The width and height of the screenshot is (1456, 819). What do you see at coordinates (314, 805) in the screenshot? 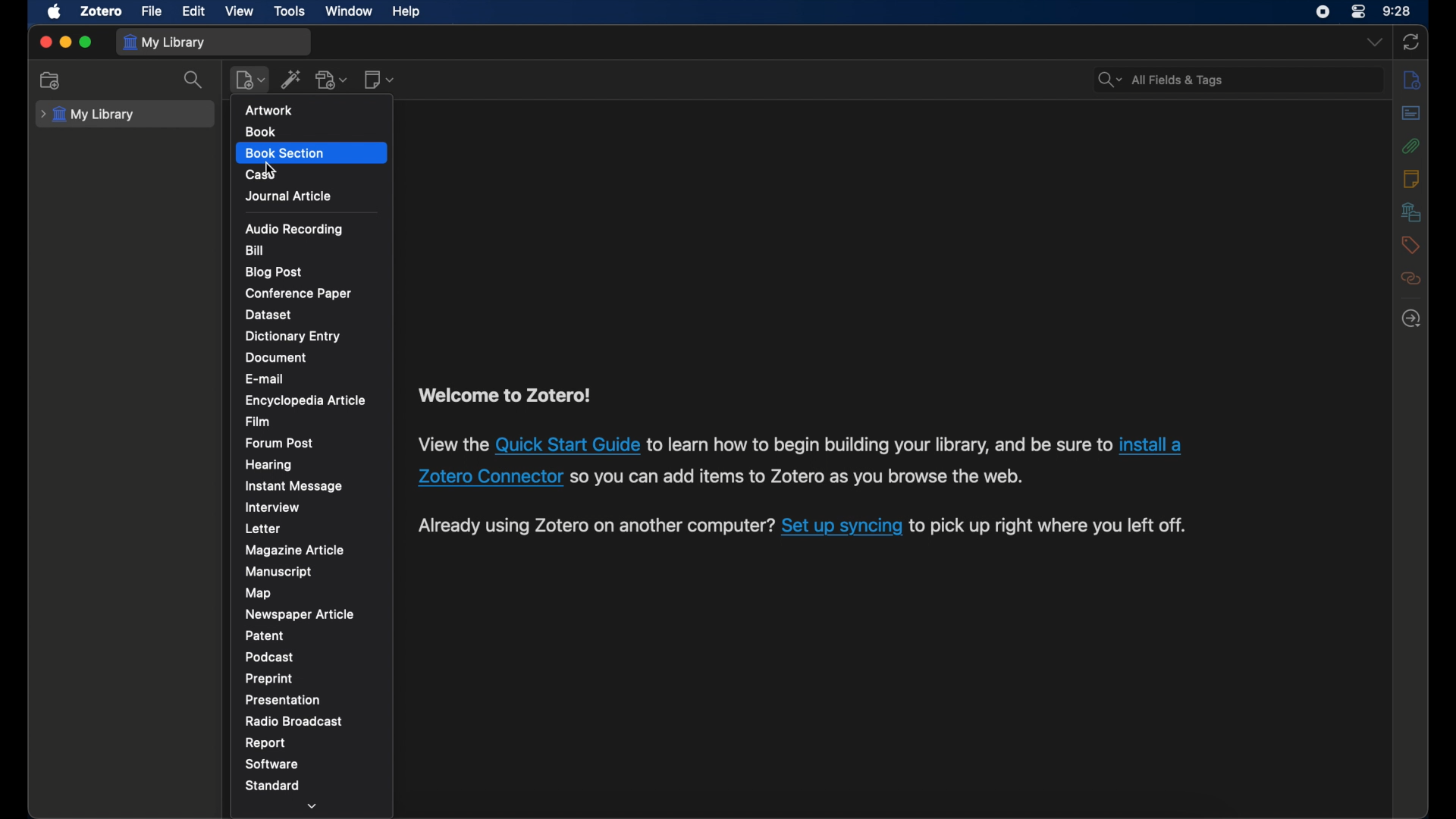
I see `dropdown` at bounding box center [314, 805].